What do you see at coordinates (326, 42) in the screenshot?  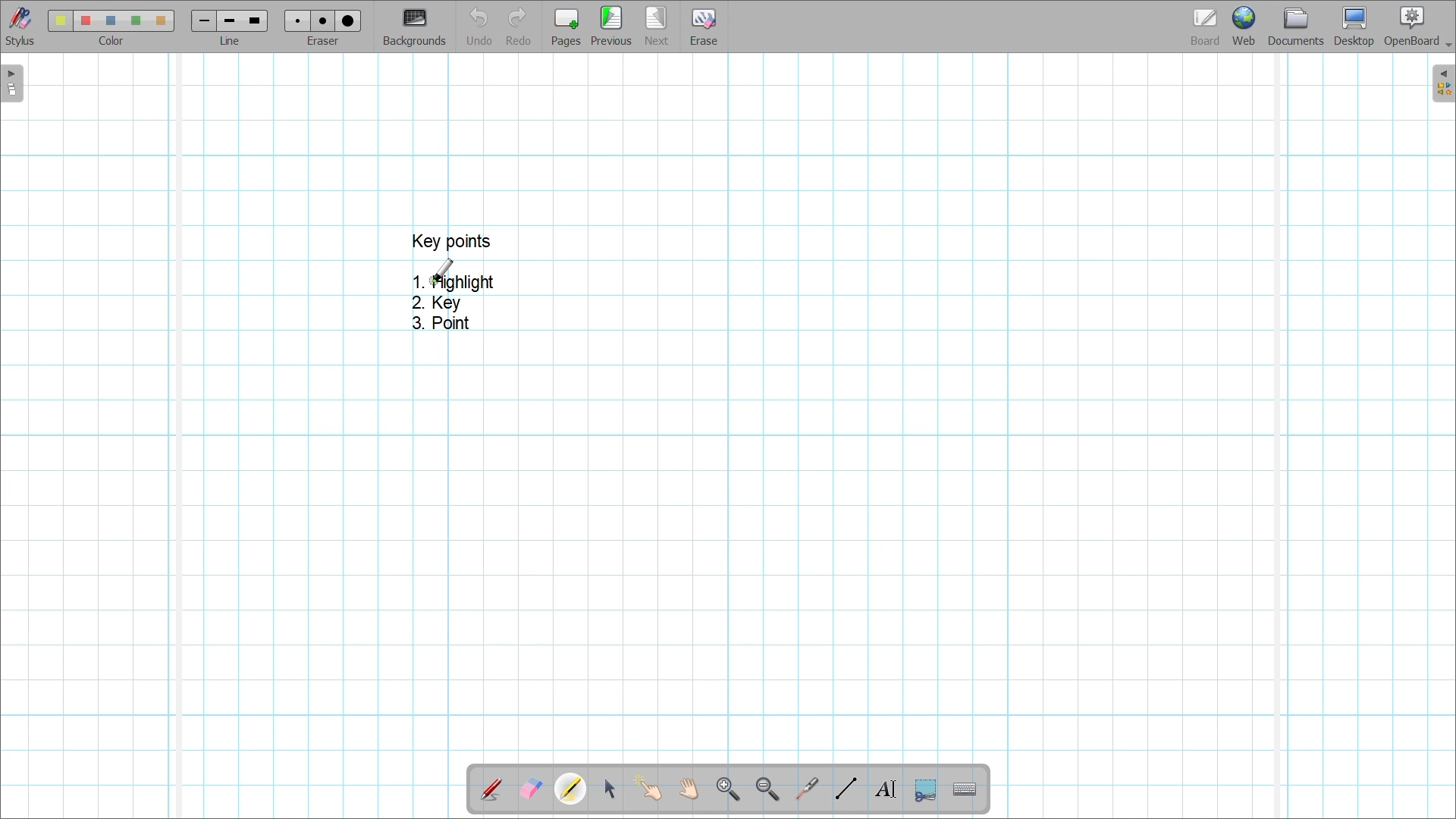 I see `eraser` at bounding box center [326, 42].